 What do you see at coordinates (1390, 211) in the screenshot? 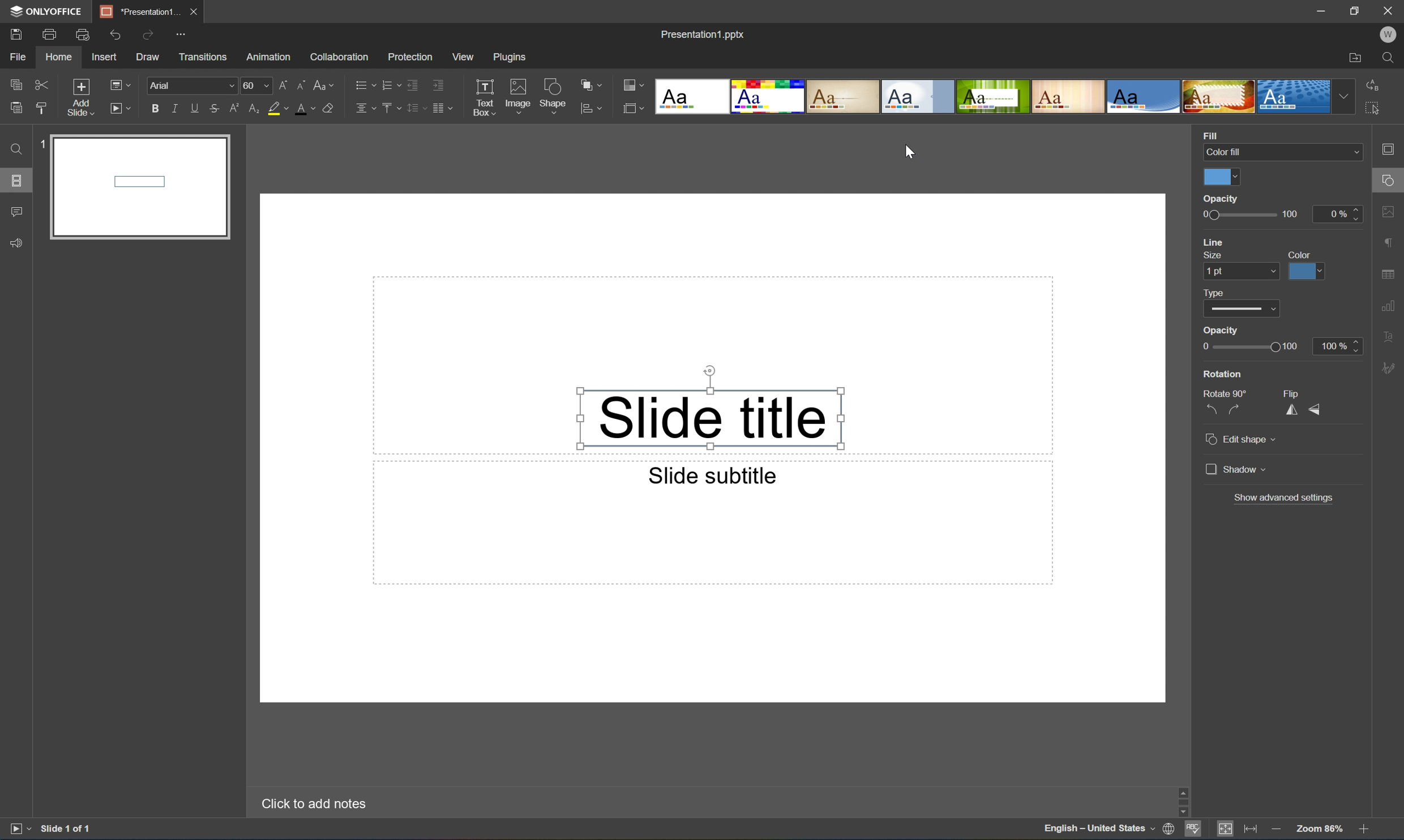
I see `image settings` at bounding box center [1390, 211].